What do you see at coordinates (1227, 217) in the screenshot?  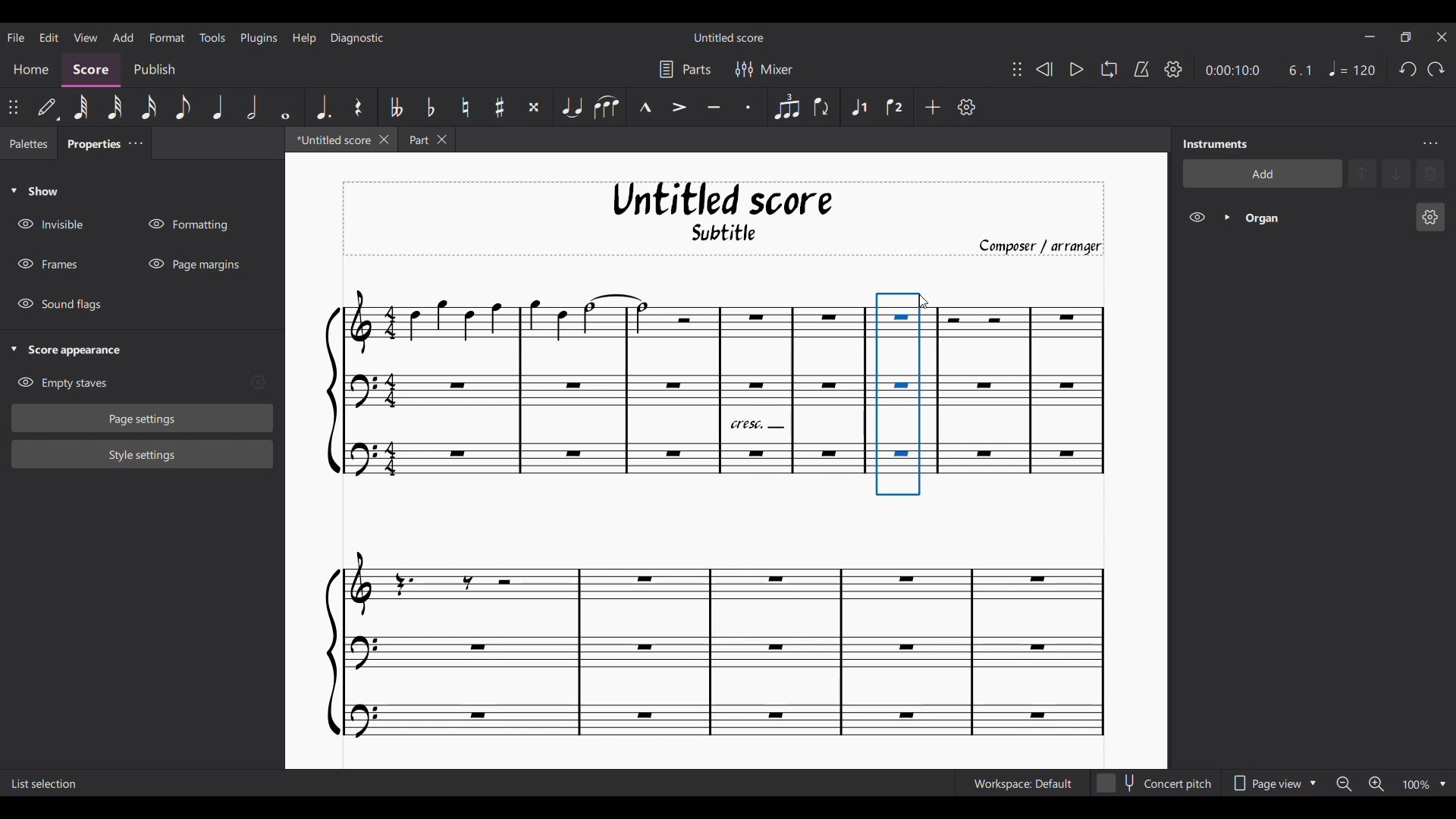 I see `Expand Organs` at bounding box center [1227, 217].